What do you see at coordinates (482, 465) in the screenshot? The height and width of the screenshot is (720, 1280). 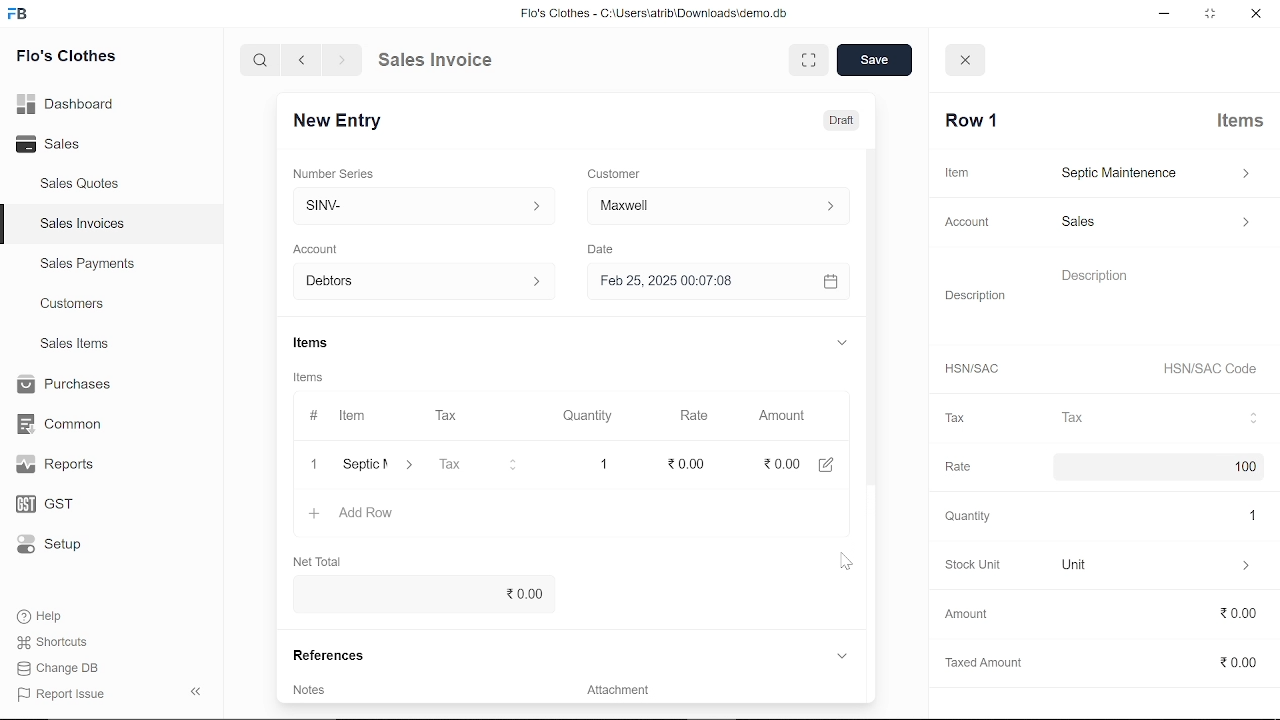 I see `Tax` at bounding box center [482, 465].